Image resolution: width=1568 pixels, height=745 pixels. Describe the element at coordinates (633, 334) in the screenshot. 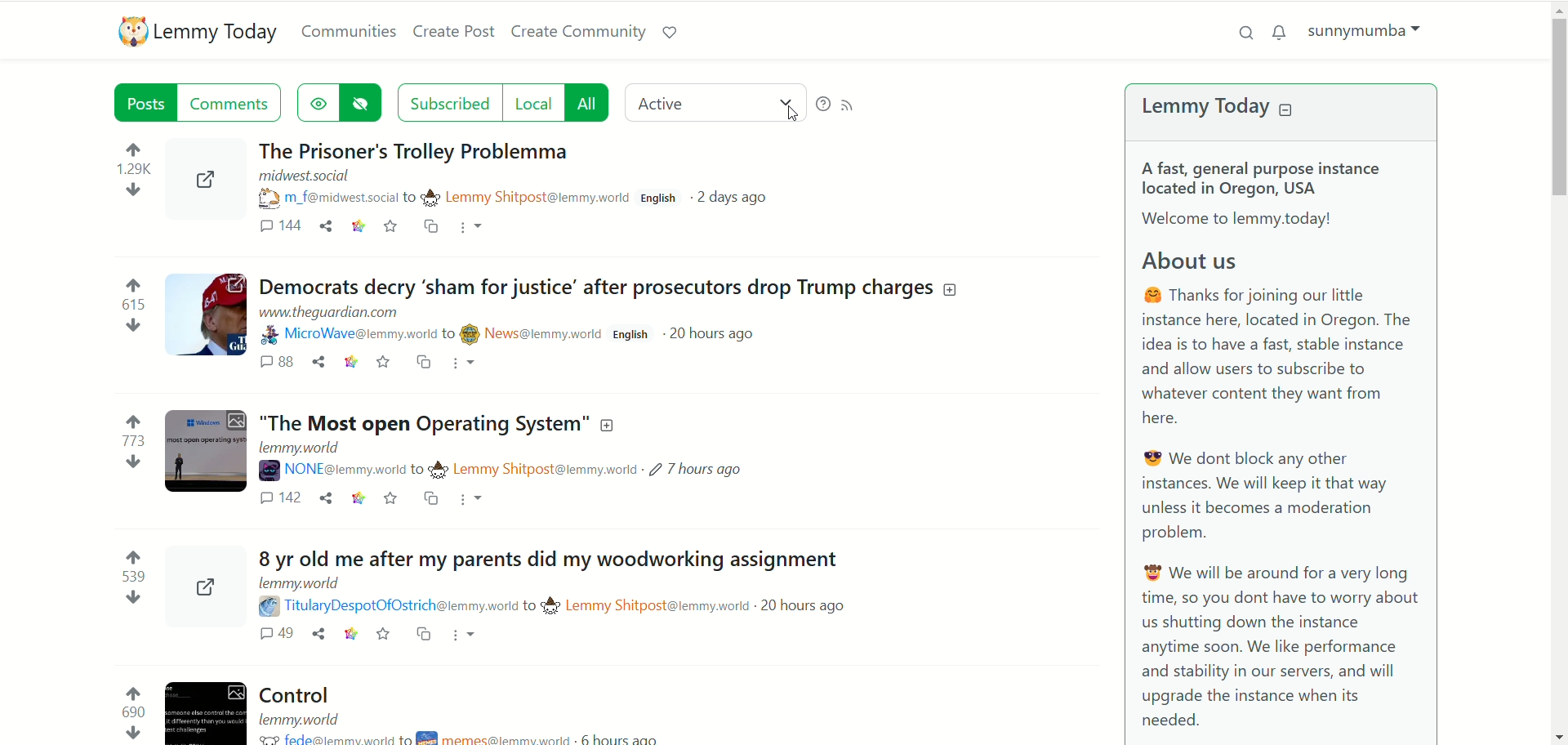

I see `English` at that location.